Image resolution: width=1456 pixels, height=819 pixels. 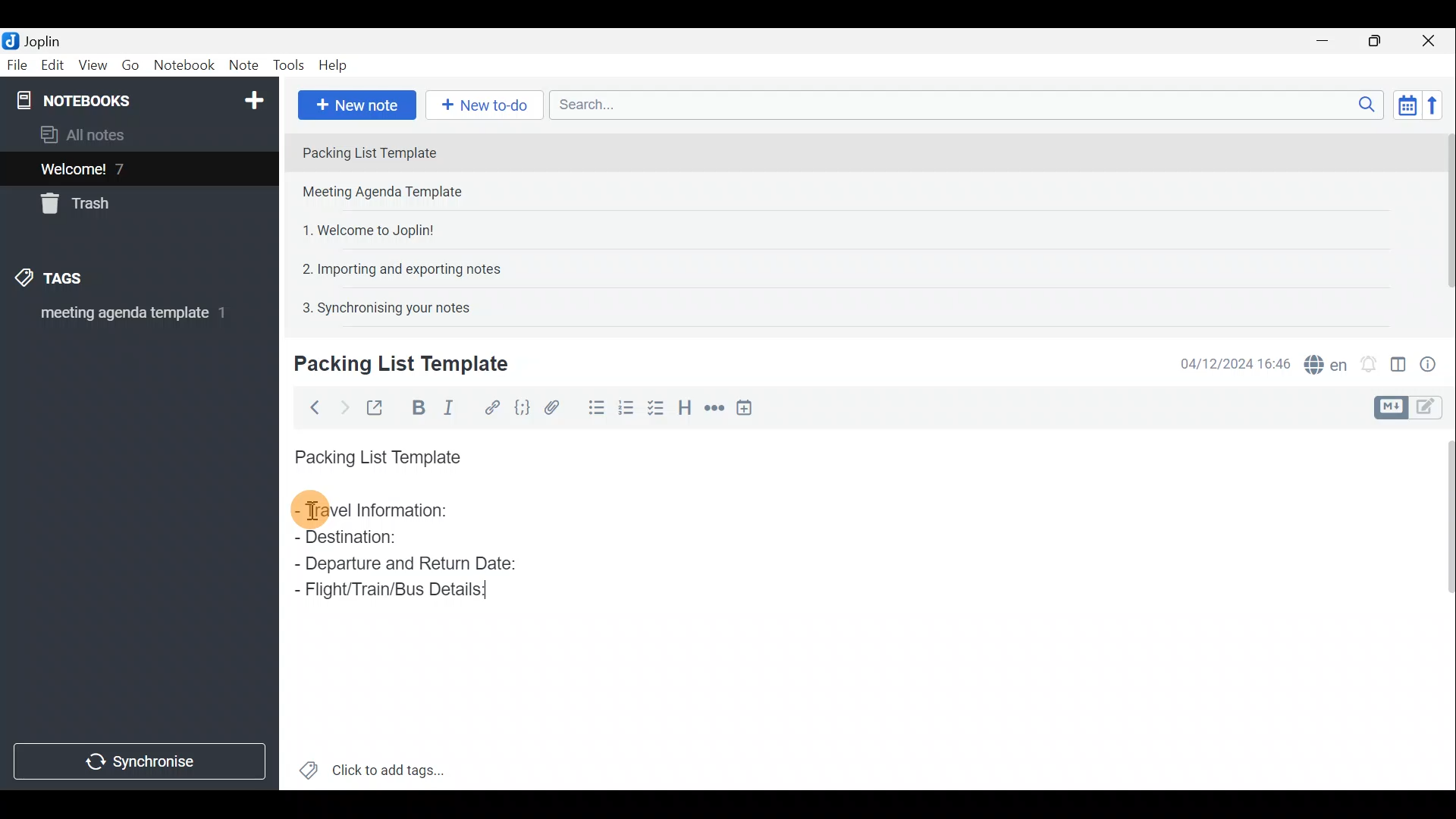 What do you see at coordinates (1393, 406) in the screenshot?
I see `Toggle editors` at bounding box center [1393, 406].